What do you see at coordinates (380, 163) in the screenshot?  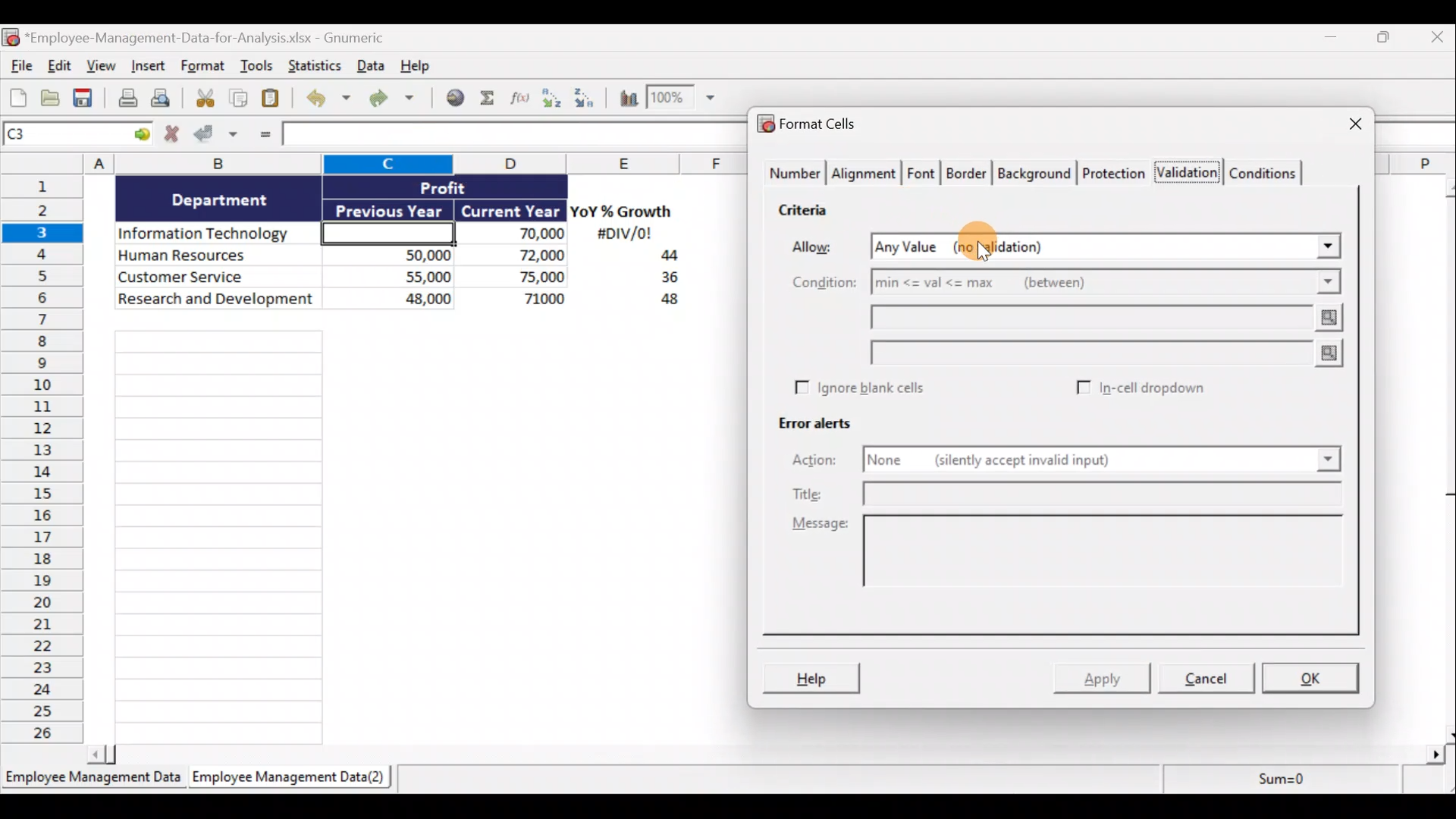 I see `Columns` at bounding box center [380, 163].